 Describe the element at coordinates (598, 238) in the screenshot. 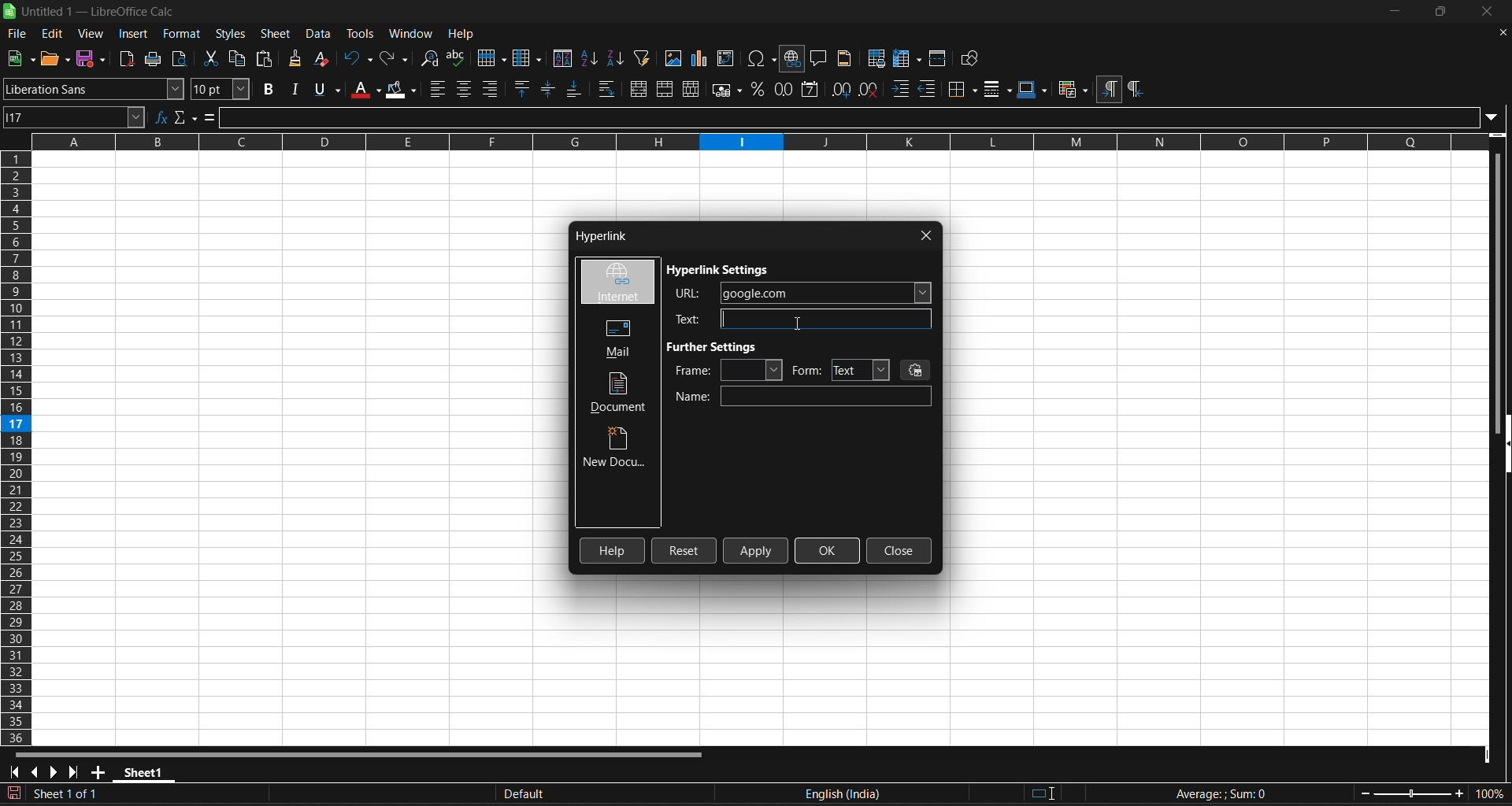

I see `hyperlink` at that location.